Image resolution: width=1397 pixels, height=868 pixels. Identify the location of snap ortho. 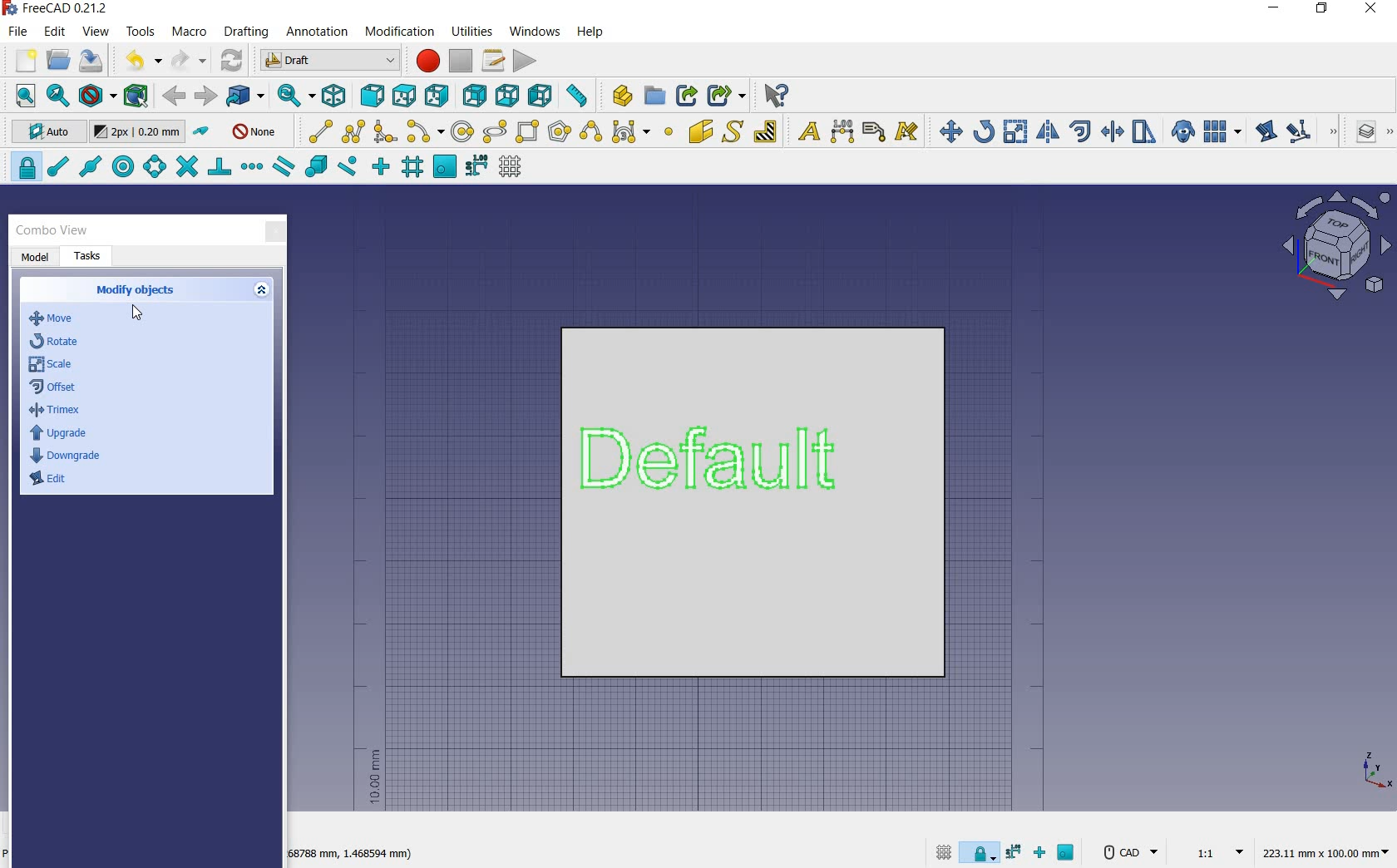
(1043, 854).